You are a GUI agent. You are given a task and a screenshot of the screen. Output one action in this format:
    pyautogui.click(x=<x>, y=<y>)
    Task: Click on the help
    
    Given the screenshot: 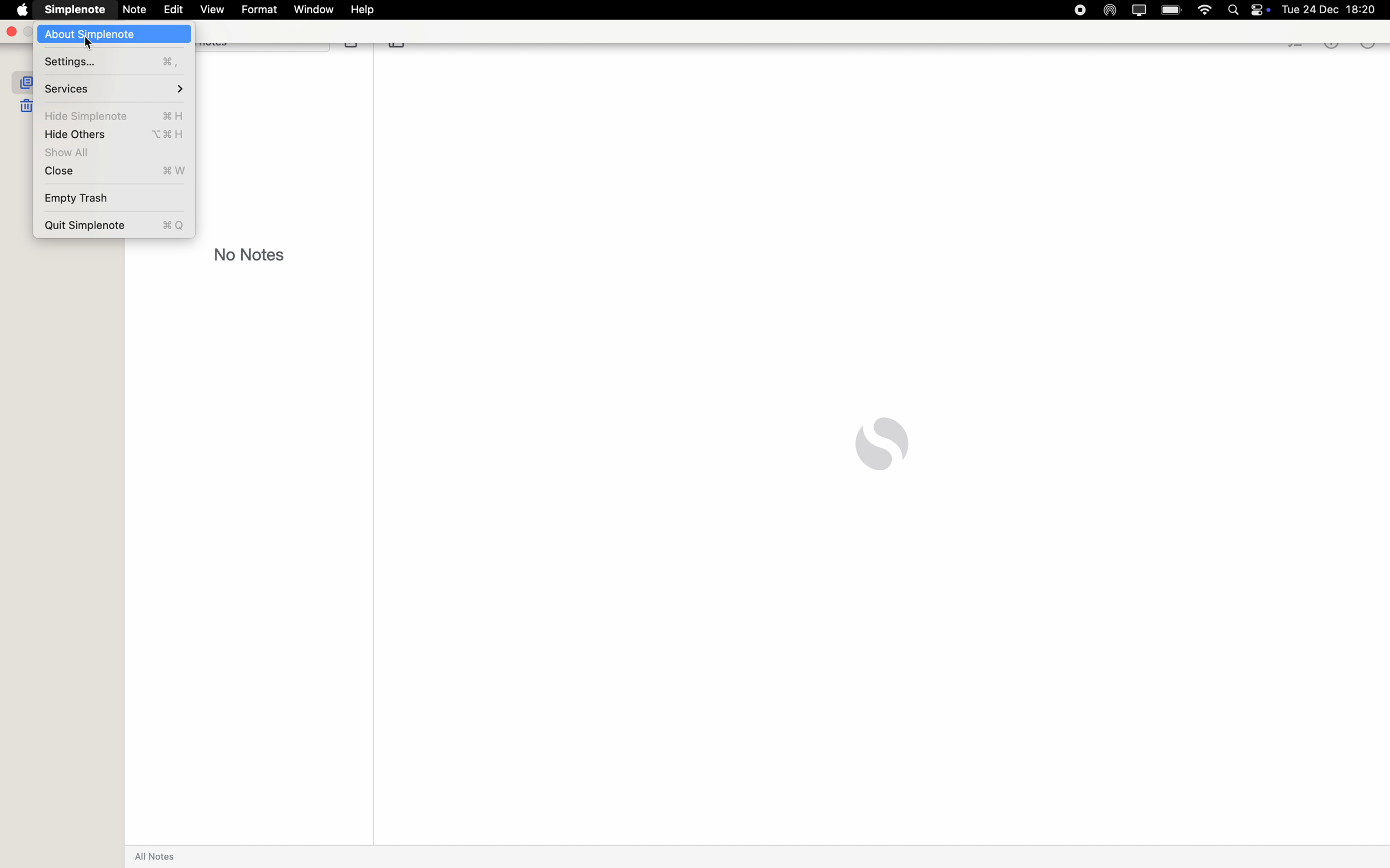 What is the action you would take?
    pyautogui.click(x=366, y=10)
    